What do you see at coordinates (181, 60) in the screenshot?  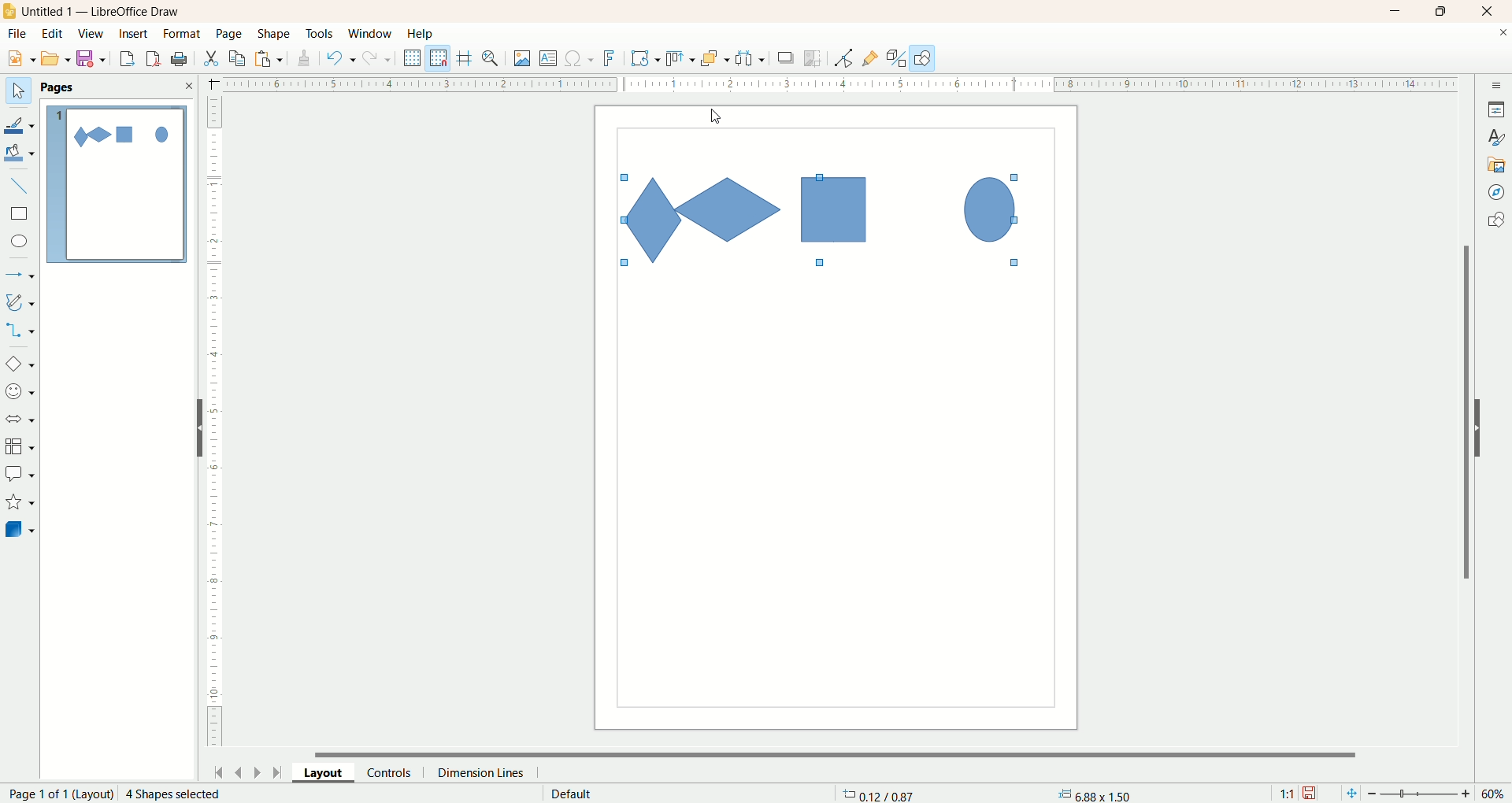 I see `export as PDF` at bounding box center [181, 60].